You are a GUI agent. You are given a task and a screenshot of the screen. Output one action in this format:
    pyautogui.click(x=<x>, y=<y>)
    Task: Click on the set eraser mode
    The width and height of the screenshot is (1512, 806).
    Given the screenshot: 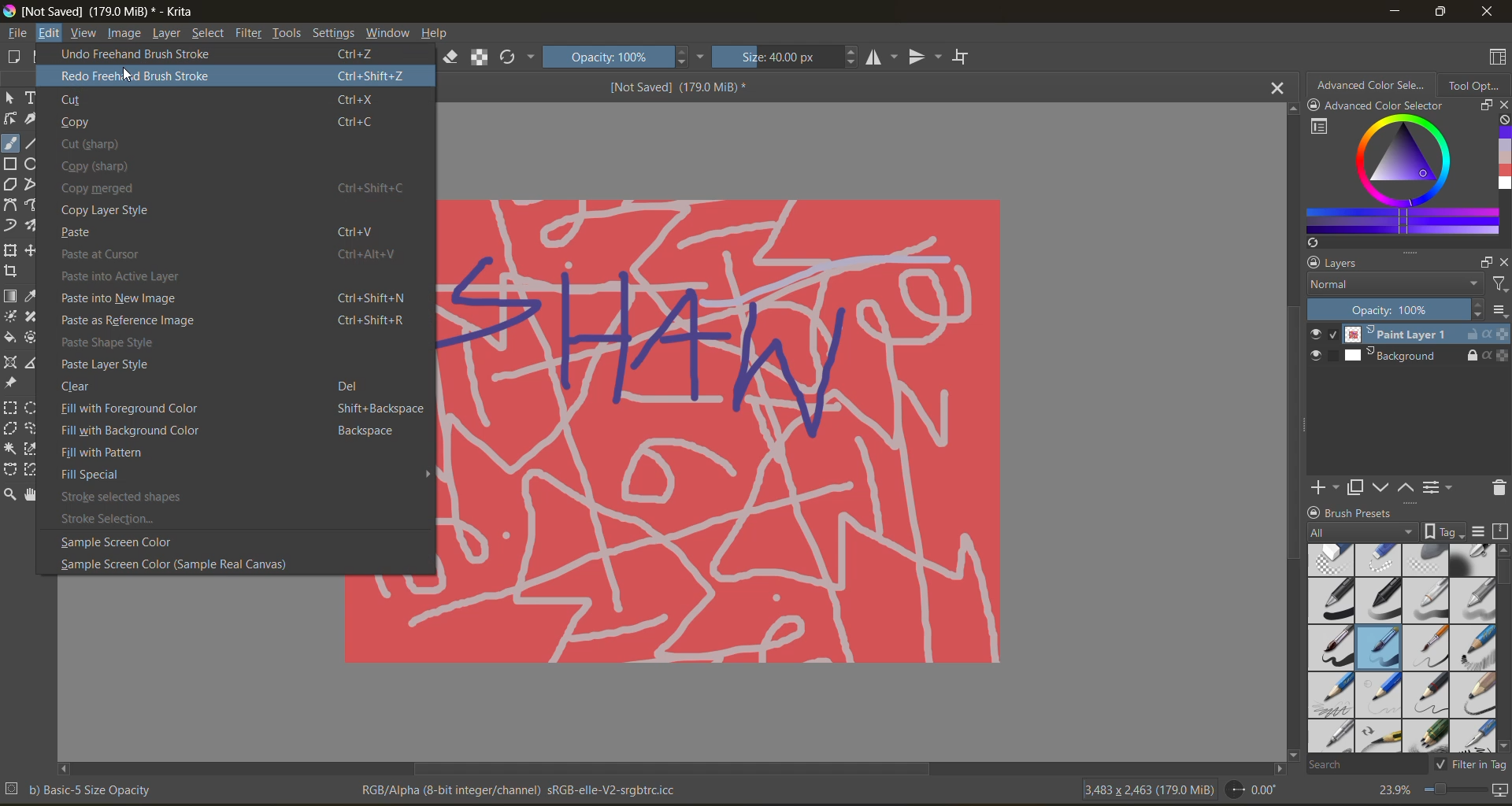 What is the action you would take?
    pyautogui.click(x=451, y=56)
    